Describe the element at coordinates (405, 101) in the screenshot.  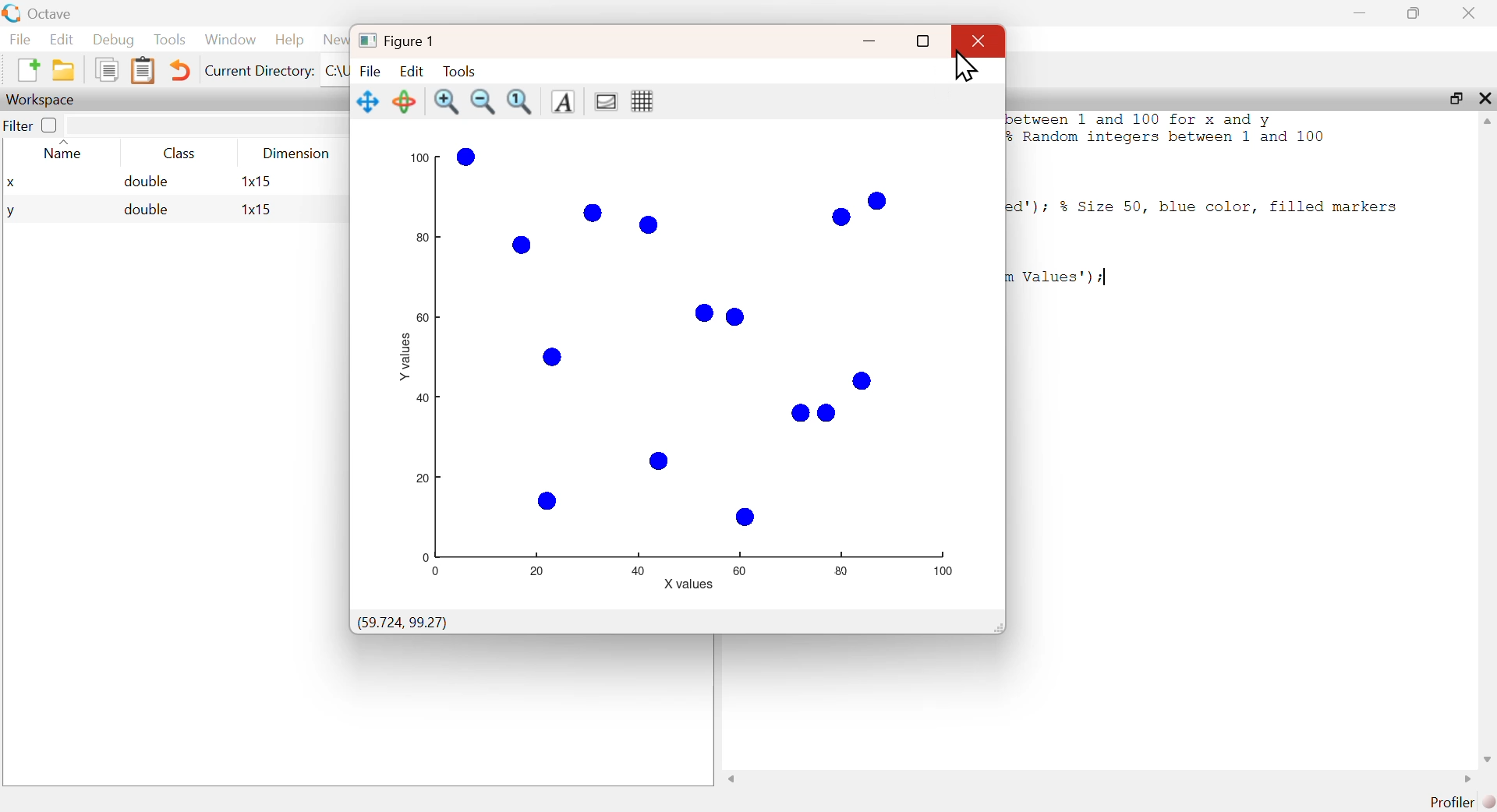
I see `Rotate tool` at that location.